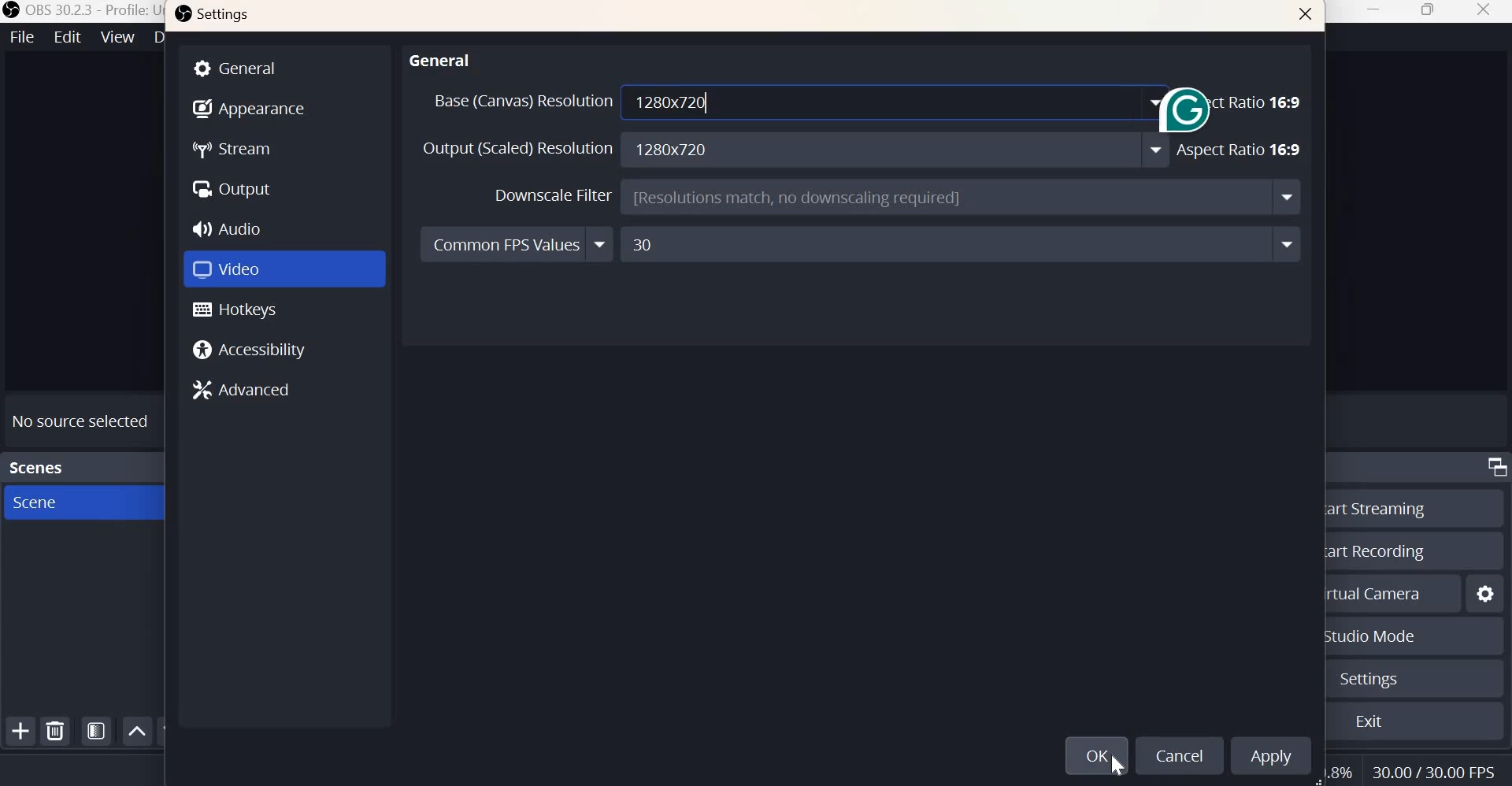 The image size is (1512, 786). Describe the element at coordinates (21, 732) in the screenshot. I see `Add scene` at that location.